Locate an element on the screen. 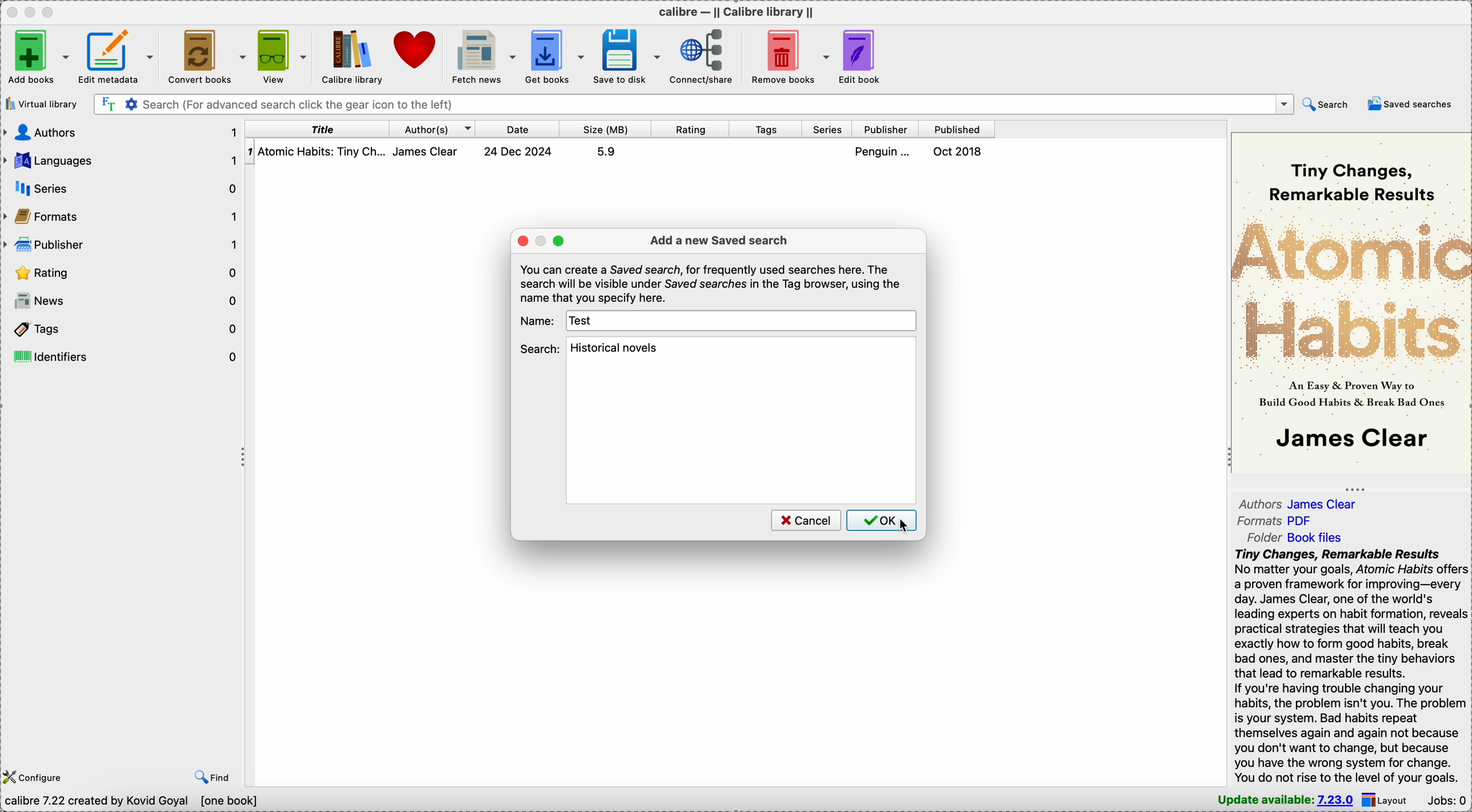  search is located at coordinates (540, 348).